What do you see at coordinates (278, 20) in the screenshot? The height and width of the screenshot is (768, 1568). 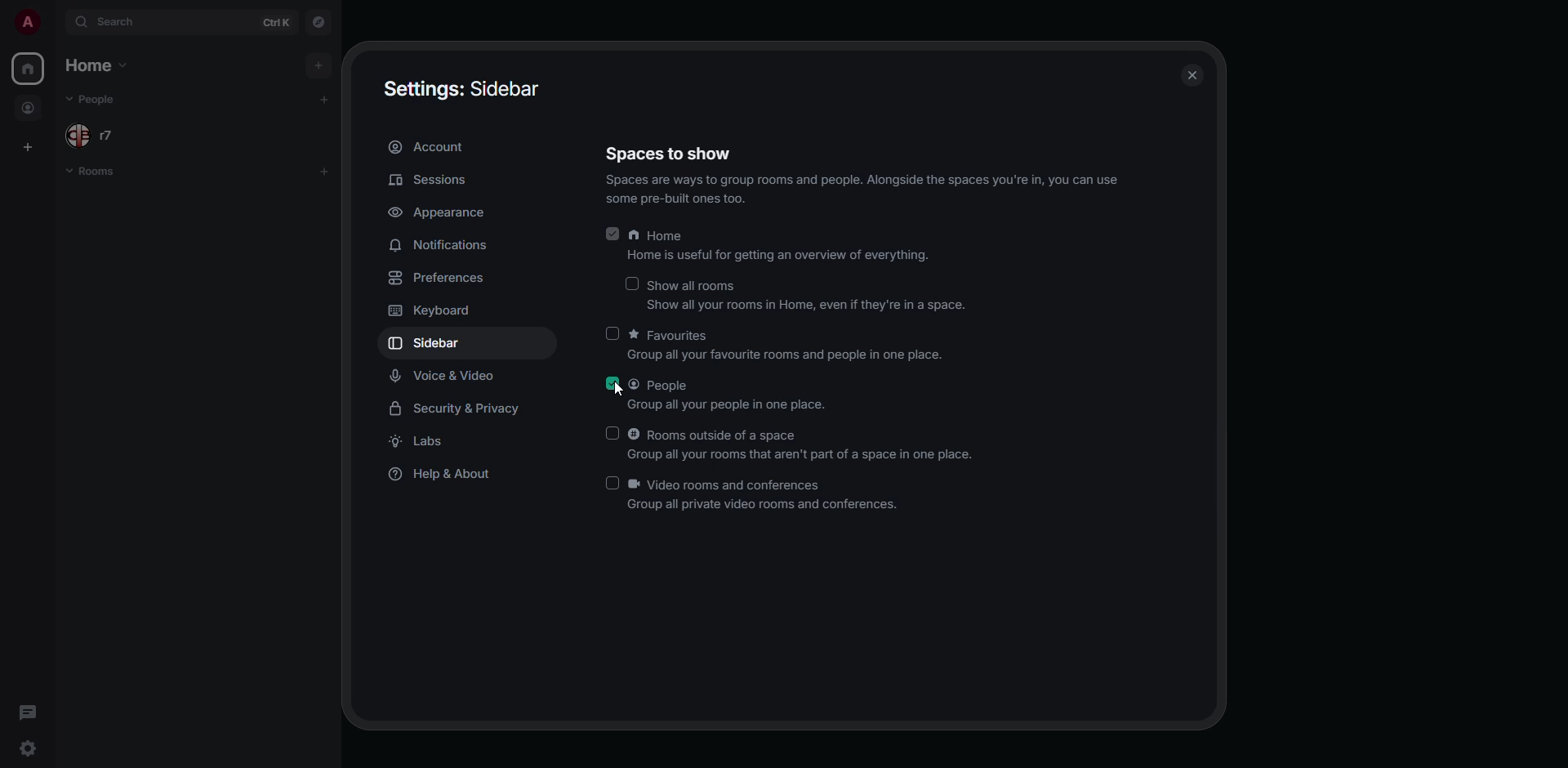 I see `ctrl K` at bounding box center [278, 20].